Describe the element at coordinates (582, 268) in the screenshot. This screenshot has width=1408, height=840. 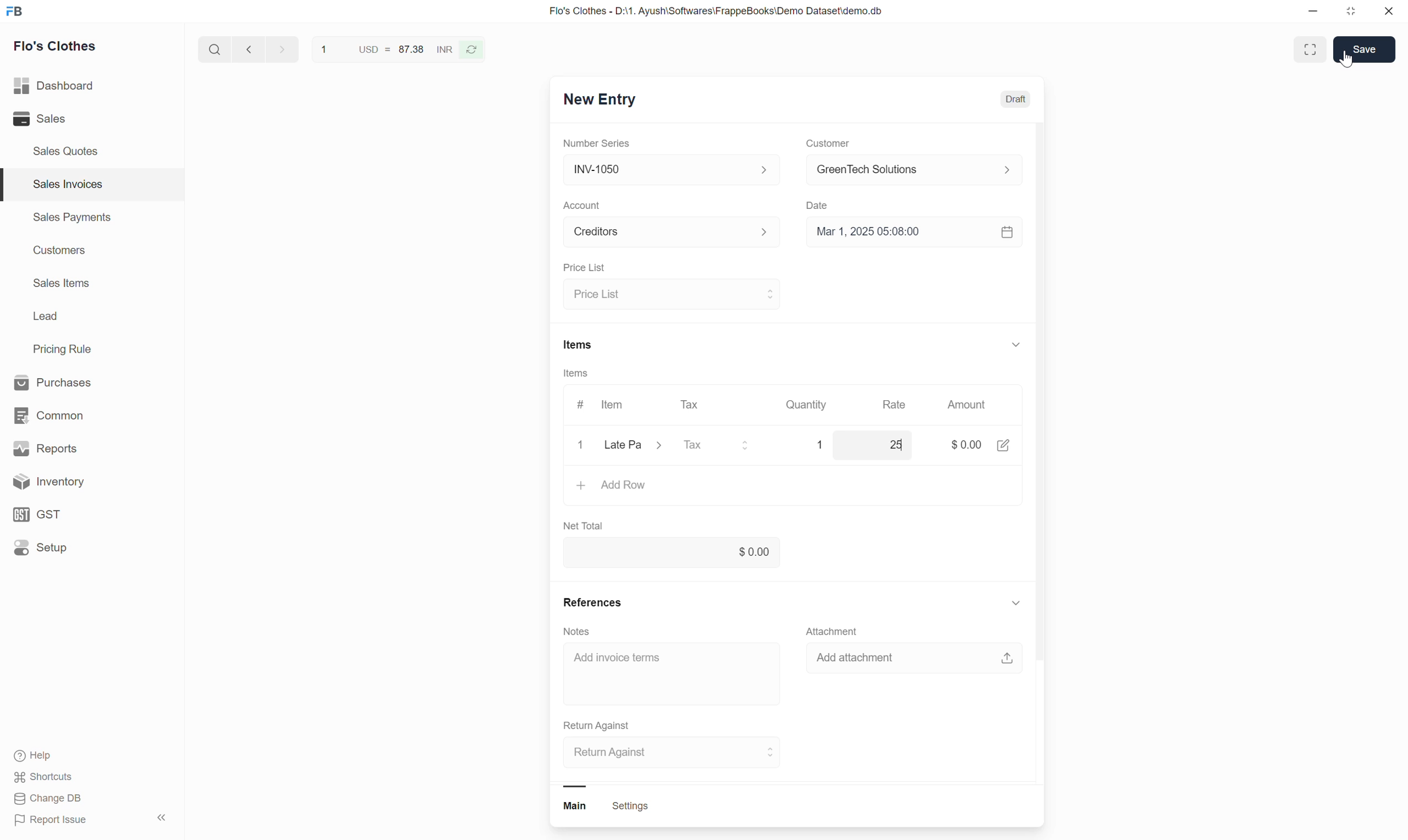
I see `Price List` at that location.